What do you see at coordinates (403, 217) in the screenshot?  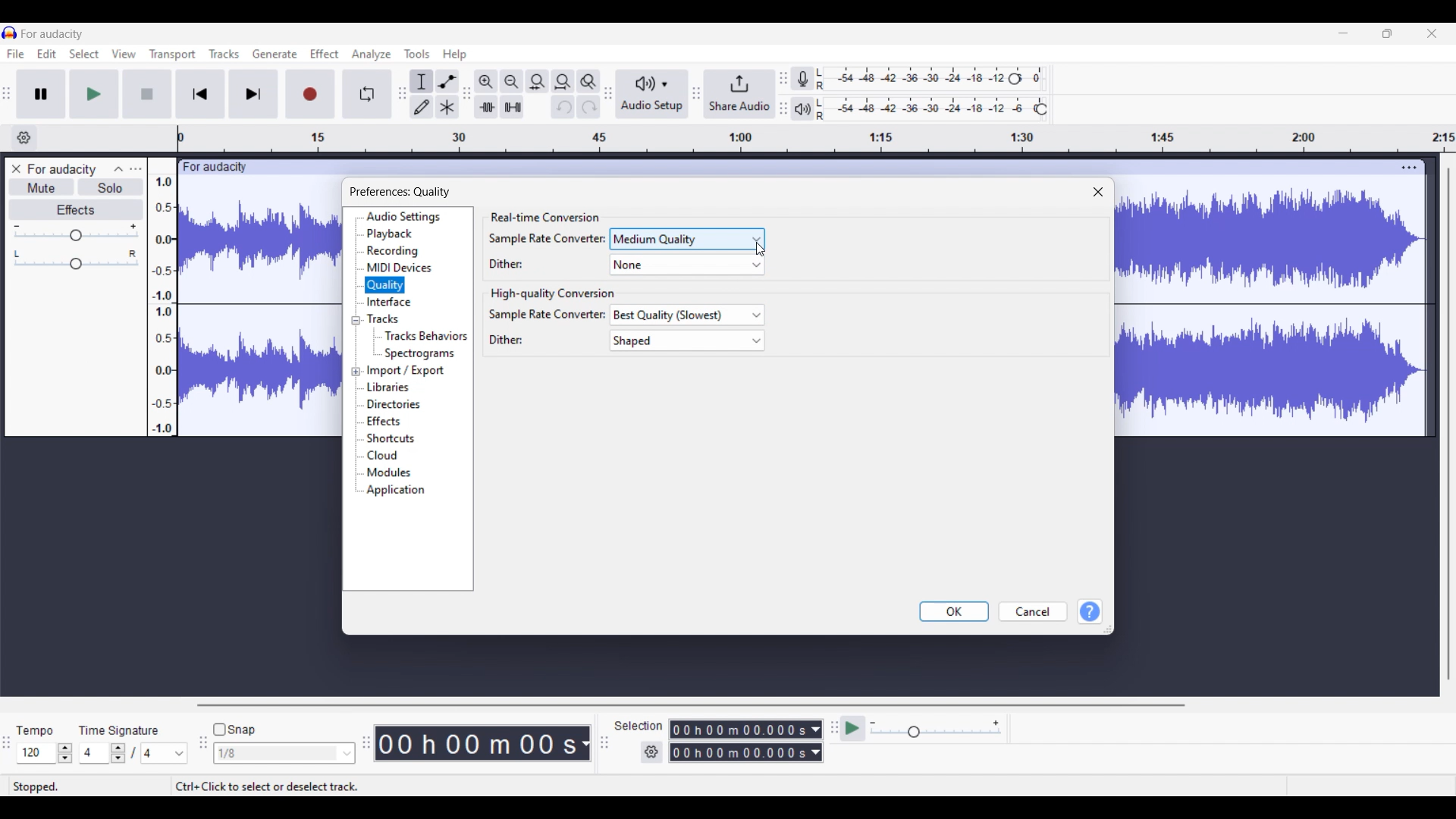 I see `Audio settings` at bounding box center [403, 217].